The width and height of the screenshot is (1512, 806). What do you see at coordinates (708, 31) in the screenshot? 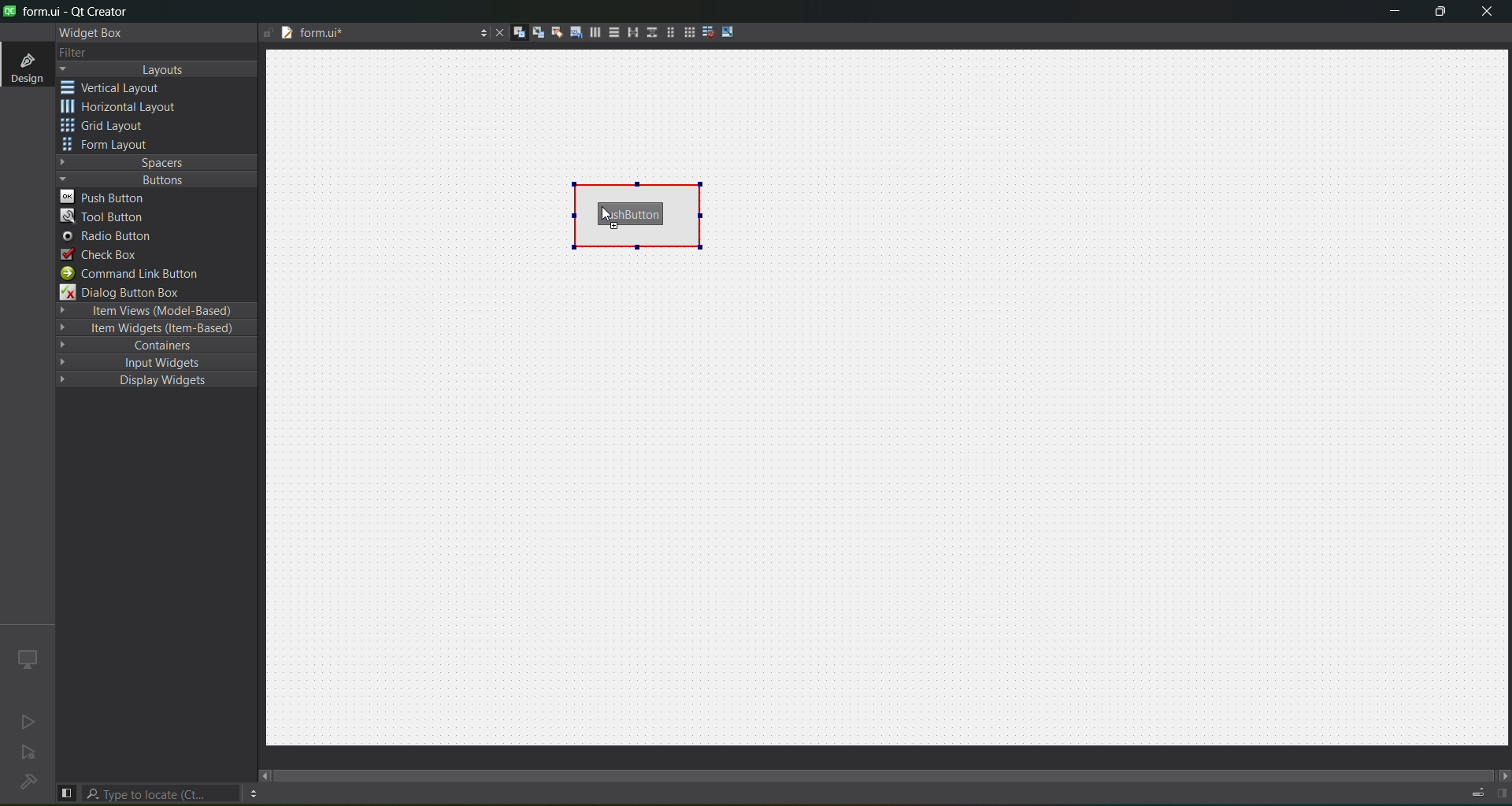
I see `break layout` at bounding box center [708, 31].